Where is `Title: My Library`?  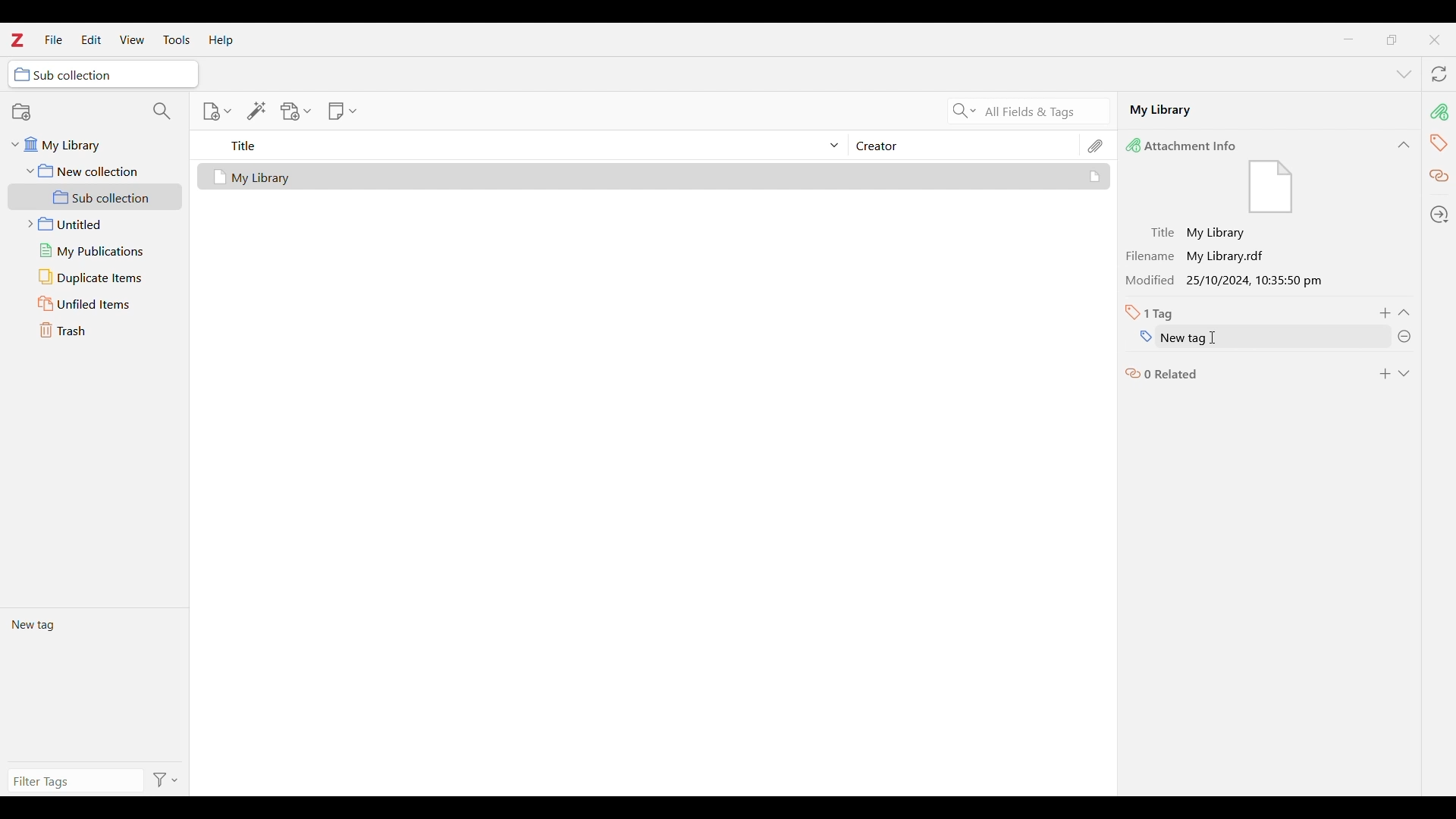 Title: My Library is located at coordinates (1200, 233).